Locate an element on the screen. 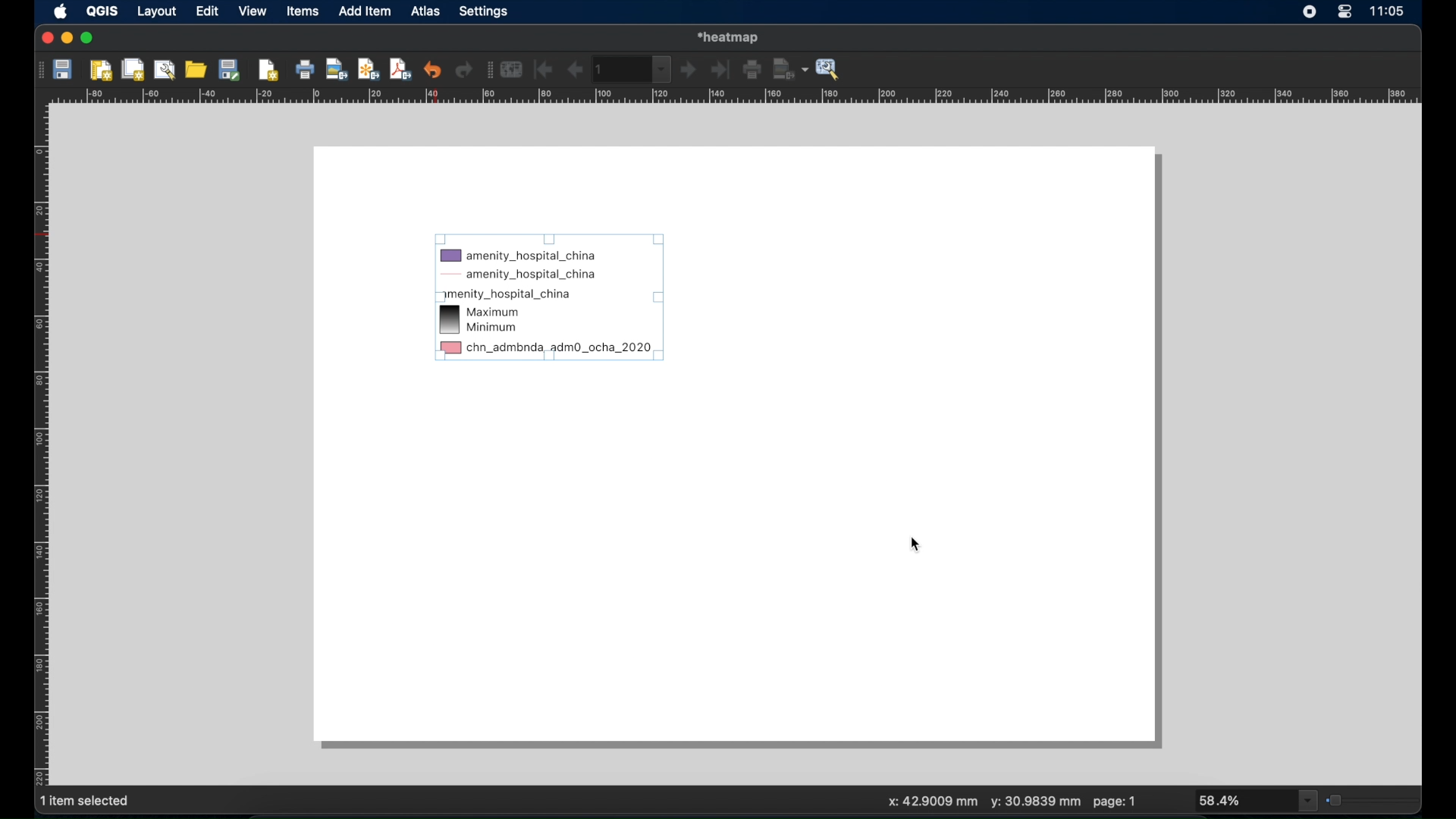 The width and height of the screenshot is (1456, 819). saves template is located at coordinates (232, 69).